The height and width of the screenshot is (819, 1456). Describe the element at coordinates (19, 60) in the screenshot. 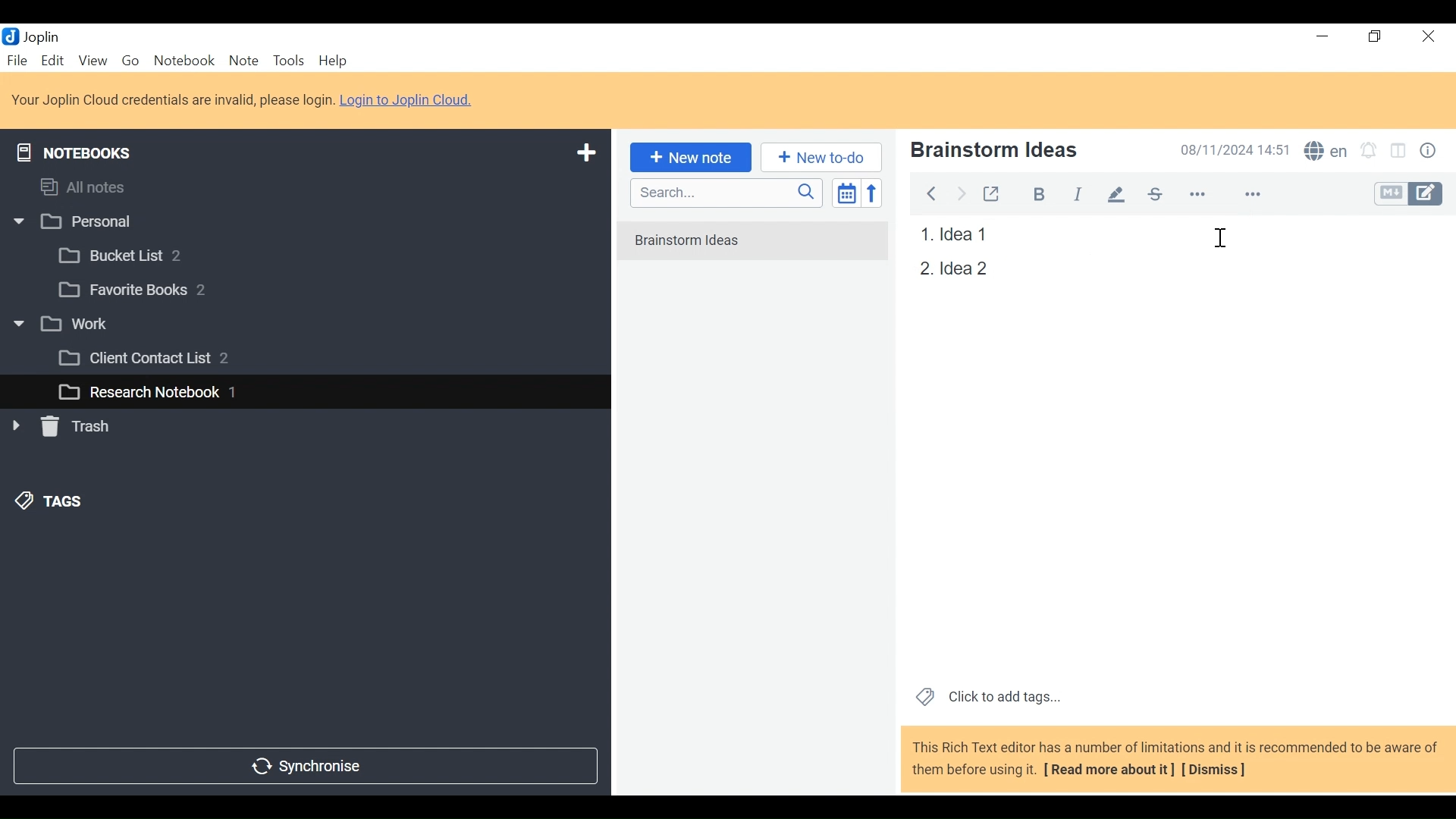

I see `File` at that location.